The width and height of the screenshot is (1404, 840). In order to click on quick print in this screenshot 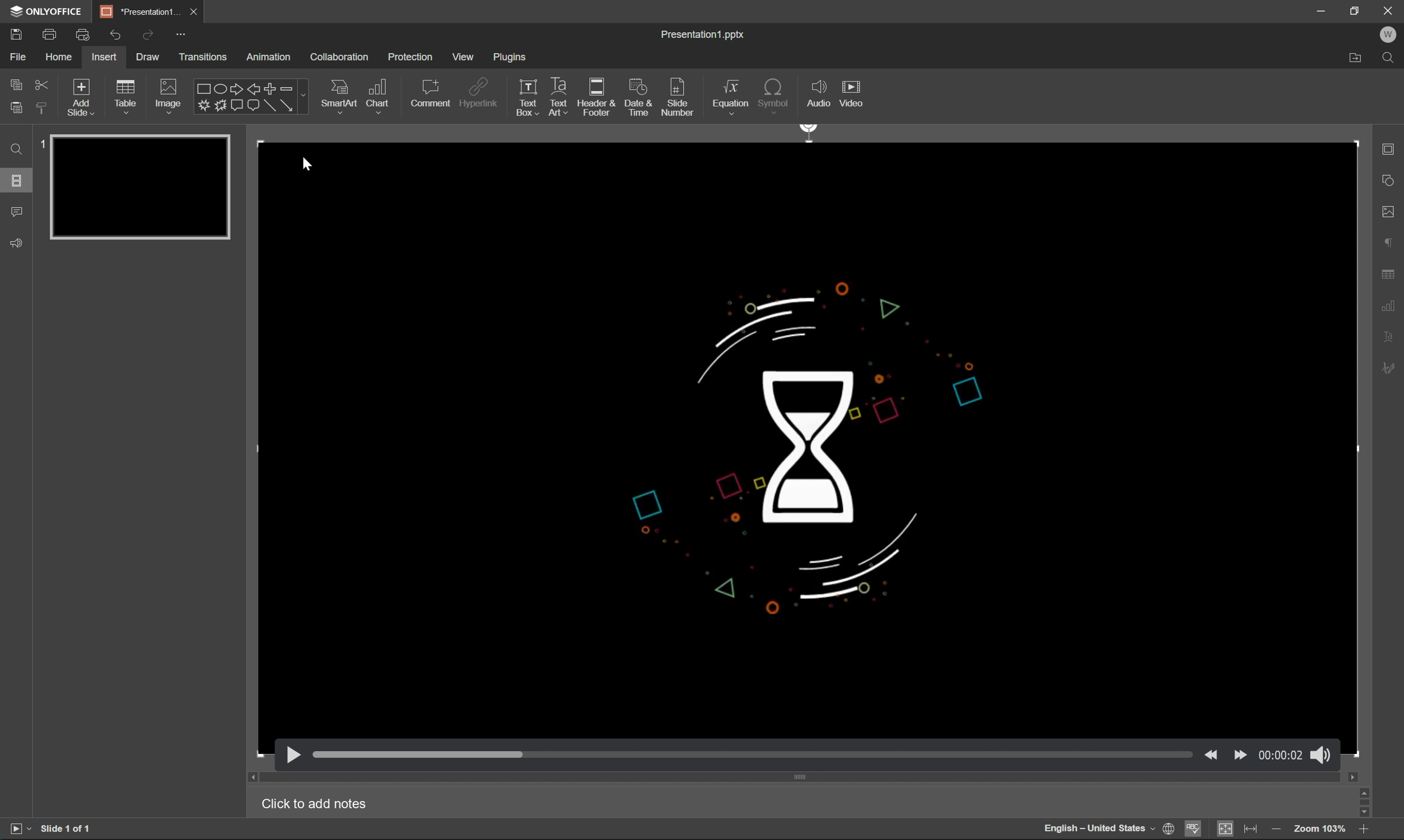, I will do `click(82, 32)`.